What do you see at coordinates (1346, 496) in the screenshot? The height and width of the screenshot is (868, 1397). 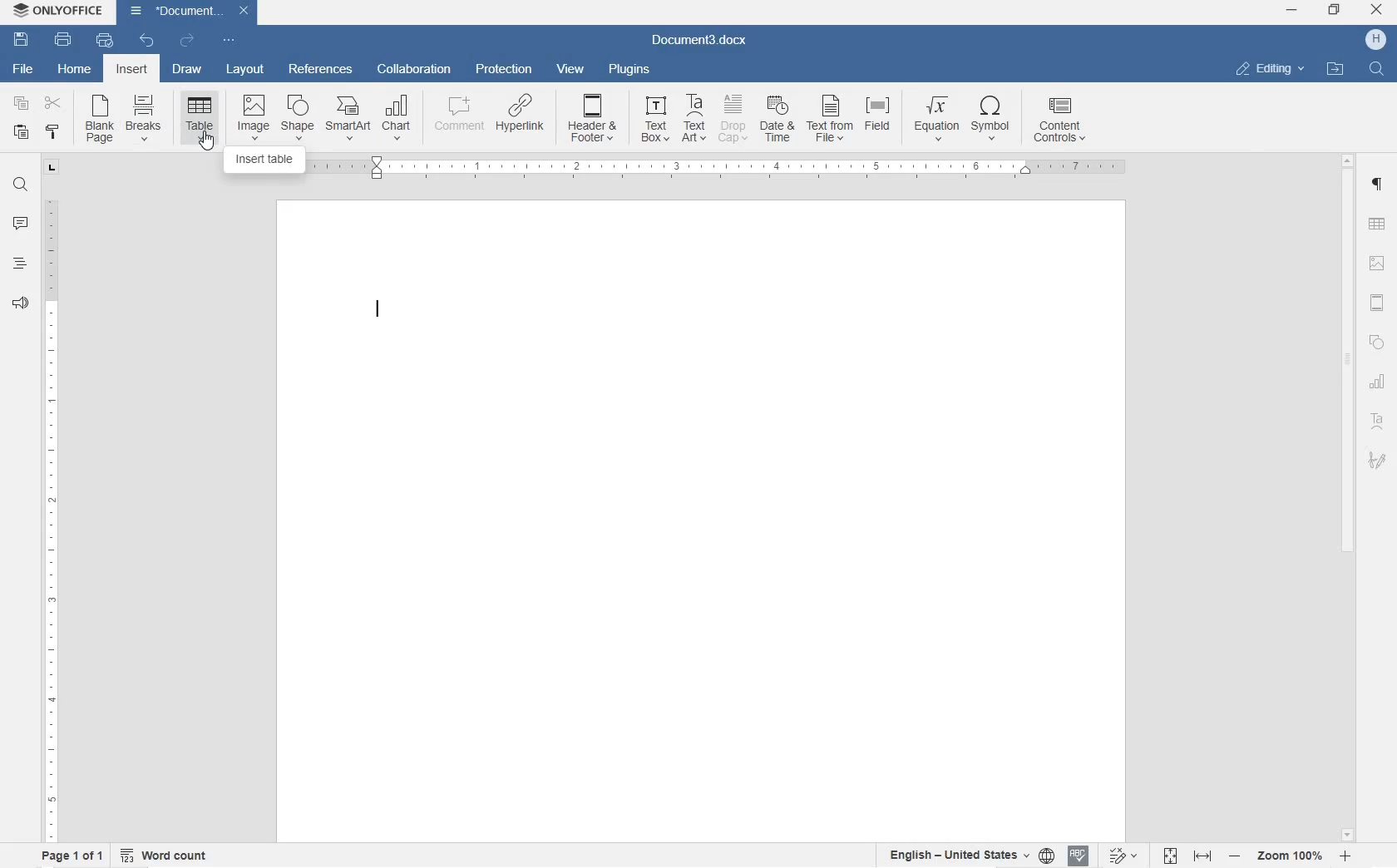 I see `SCROLLBAR` at bounding box center [1346, 496].